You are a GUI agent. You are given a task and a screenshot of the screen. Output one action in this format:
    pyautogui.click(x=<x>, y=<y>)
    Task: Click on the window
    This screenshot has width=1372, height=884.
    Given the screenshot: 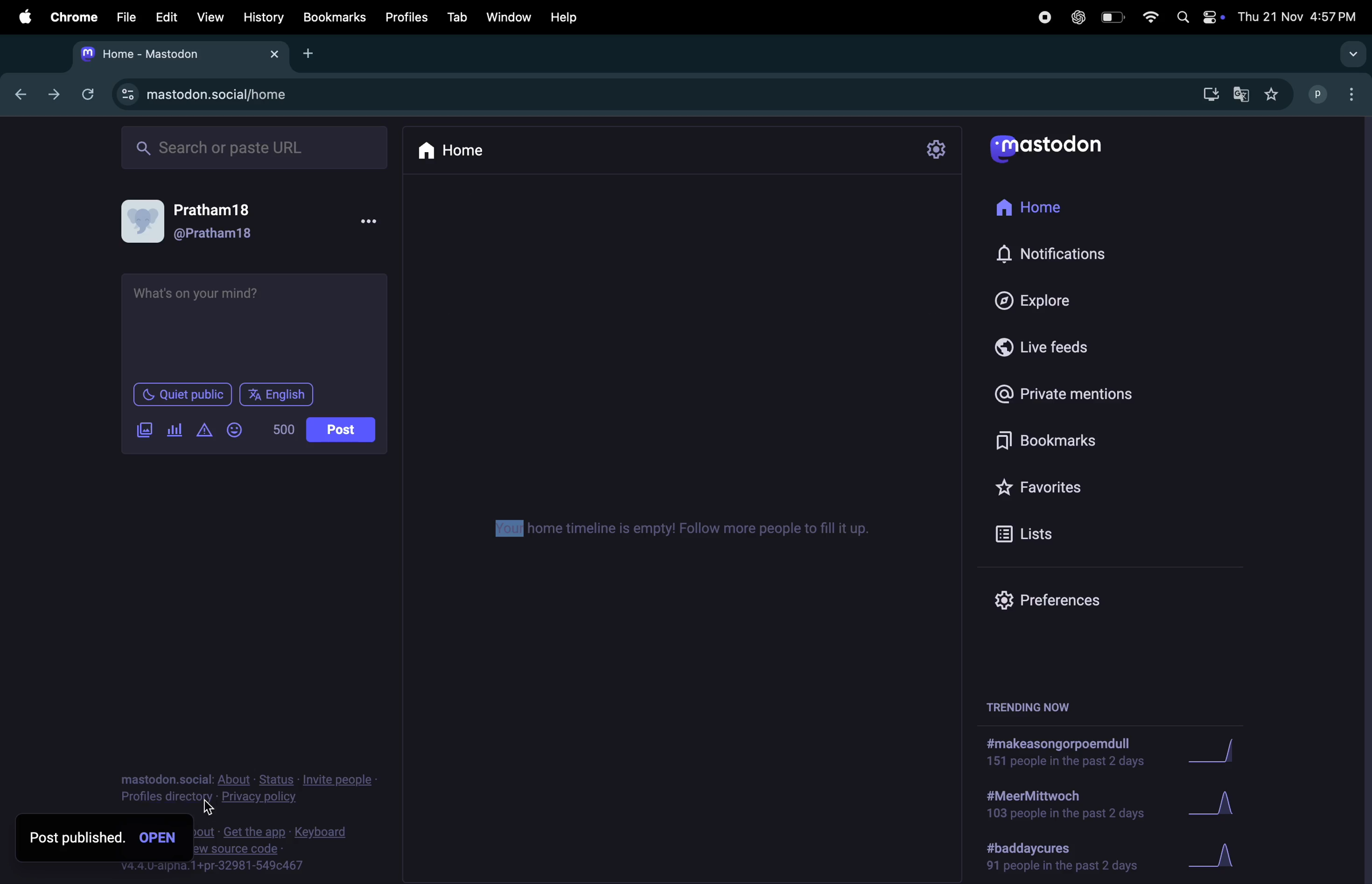 What is the action you would take?
    pyautogui.click(x=508, y=17)
    